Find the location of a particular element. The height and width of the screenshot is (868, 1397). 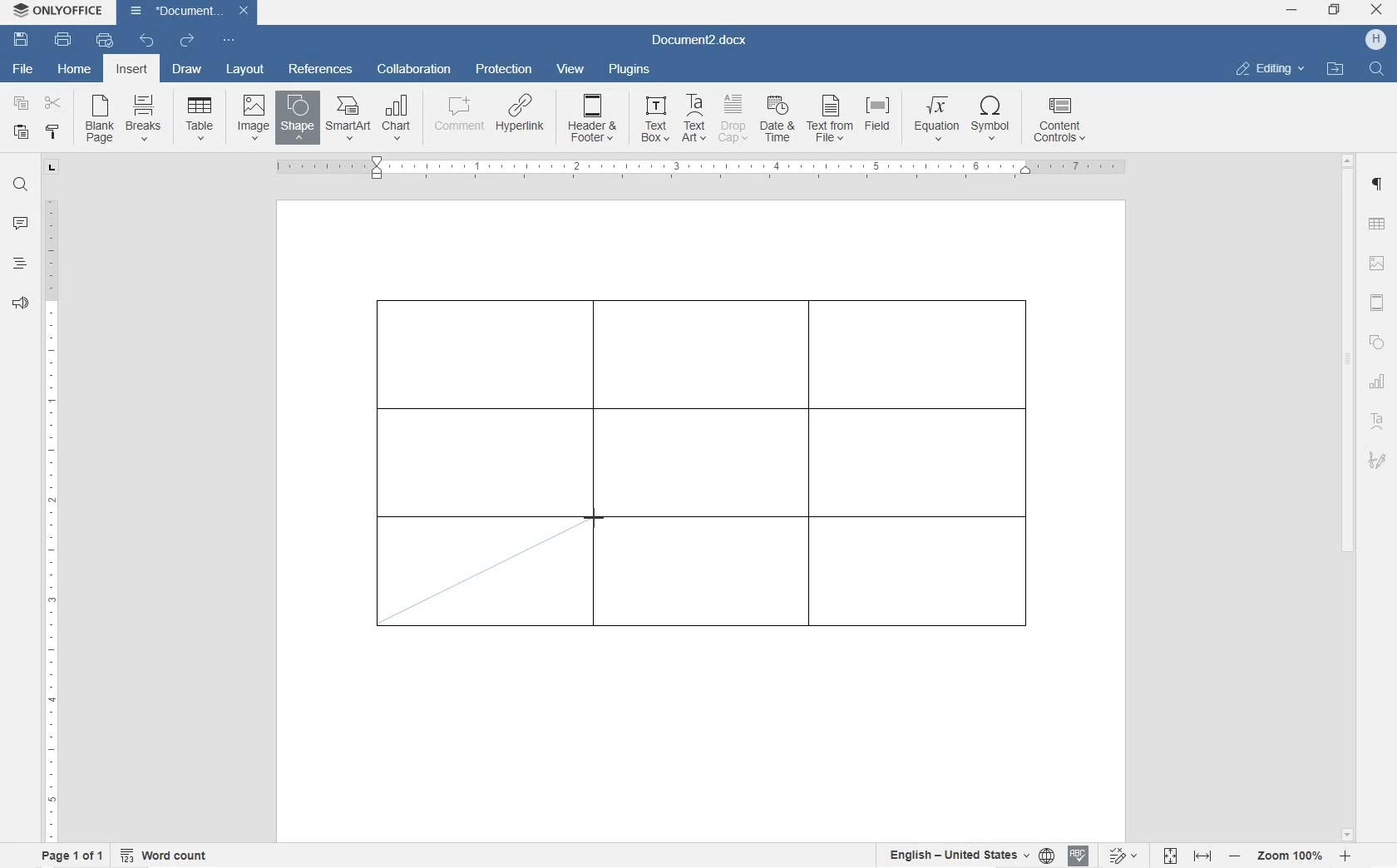

paragraph settings is located at coordinates (1378, 185).